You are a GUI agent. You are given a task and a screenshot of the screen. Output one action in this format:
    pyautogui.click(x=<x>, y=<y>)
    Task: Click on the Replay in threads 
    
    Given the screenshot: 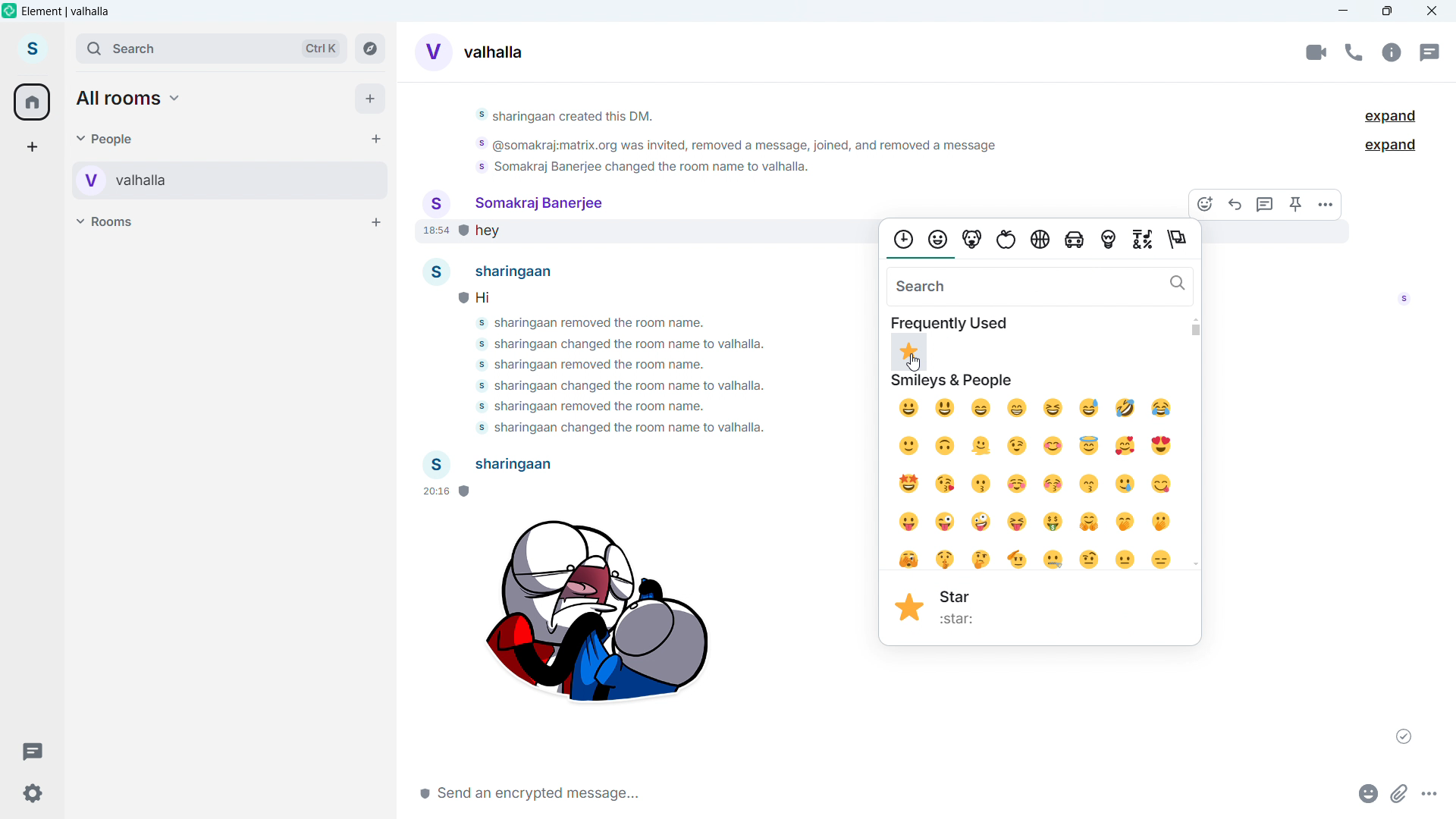 What is the action you would take?
    pyautogui.click(x=1266, y=204)
    